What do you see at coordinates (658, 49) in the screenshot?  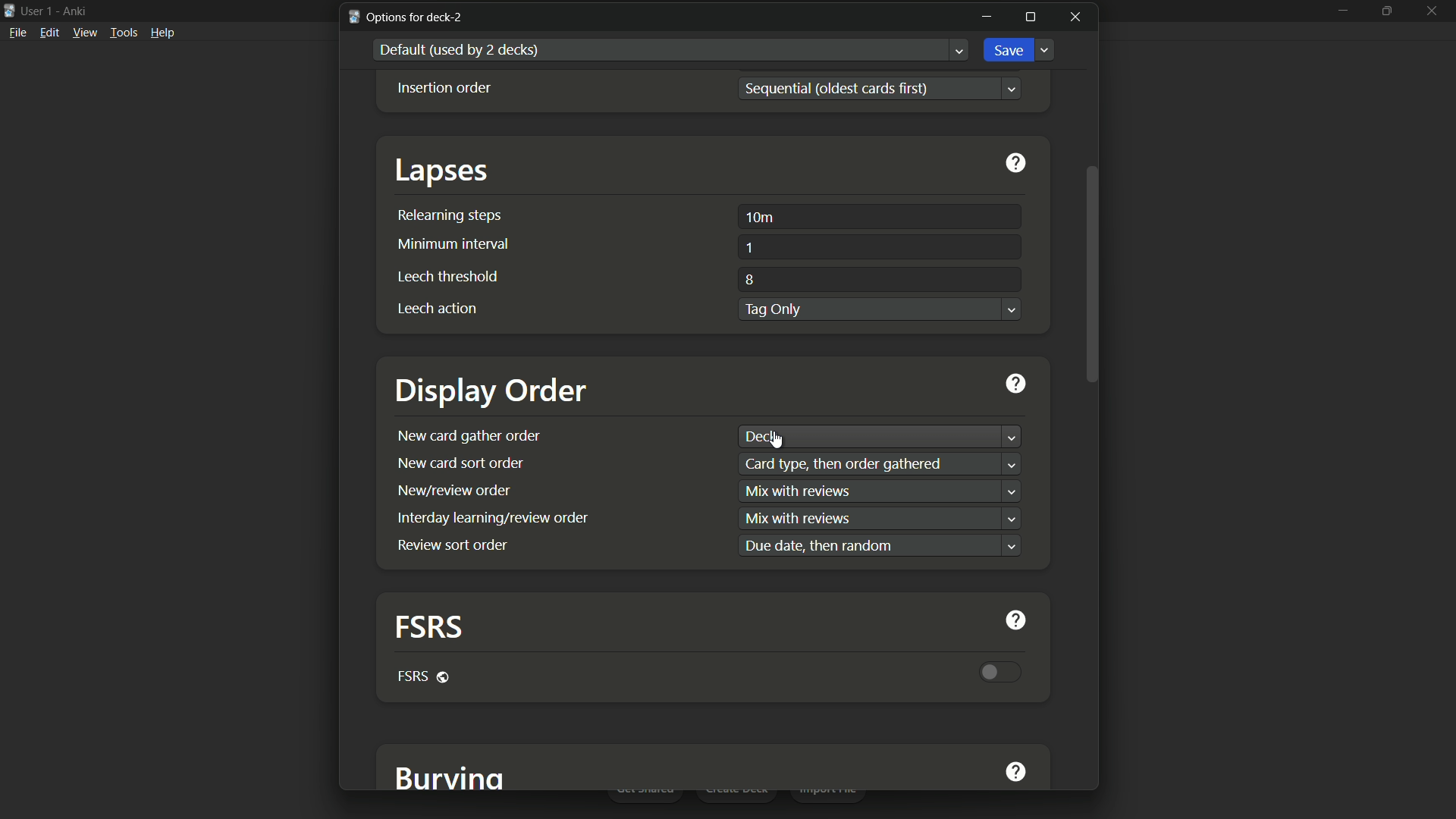 I see `default used by 2 decks` at bounding box center [658, 49].